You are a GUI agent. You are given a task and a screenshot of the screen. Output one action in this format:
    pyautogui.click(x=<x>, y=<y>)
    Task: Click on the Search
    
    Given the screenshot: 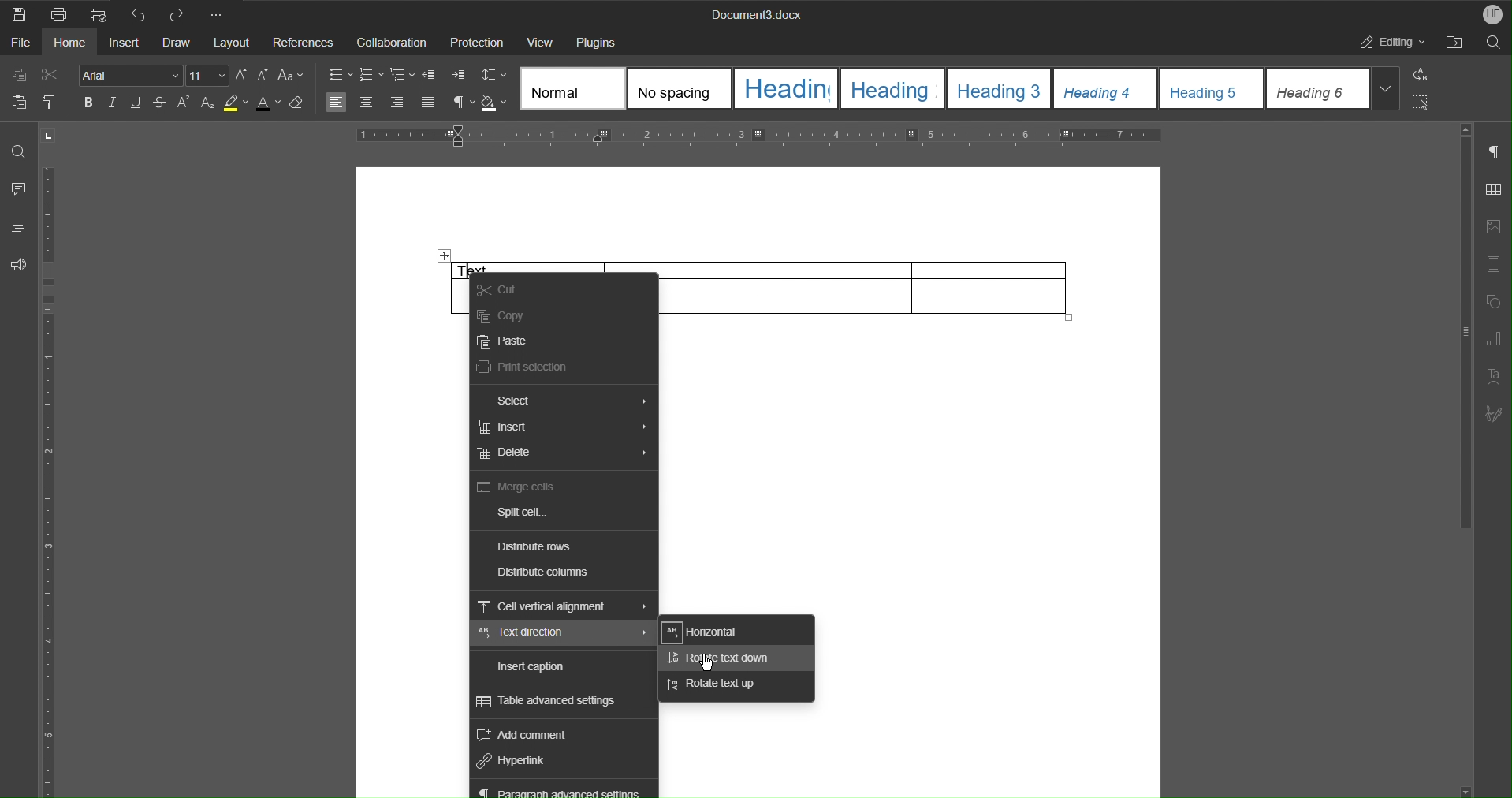 What is the action you would take?
    pyautogui.click(x=1494, y=43)
    